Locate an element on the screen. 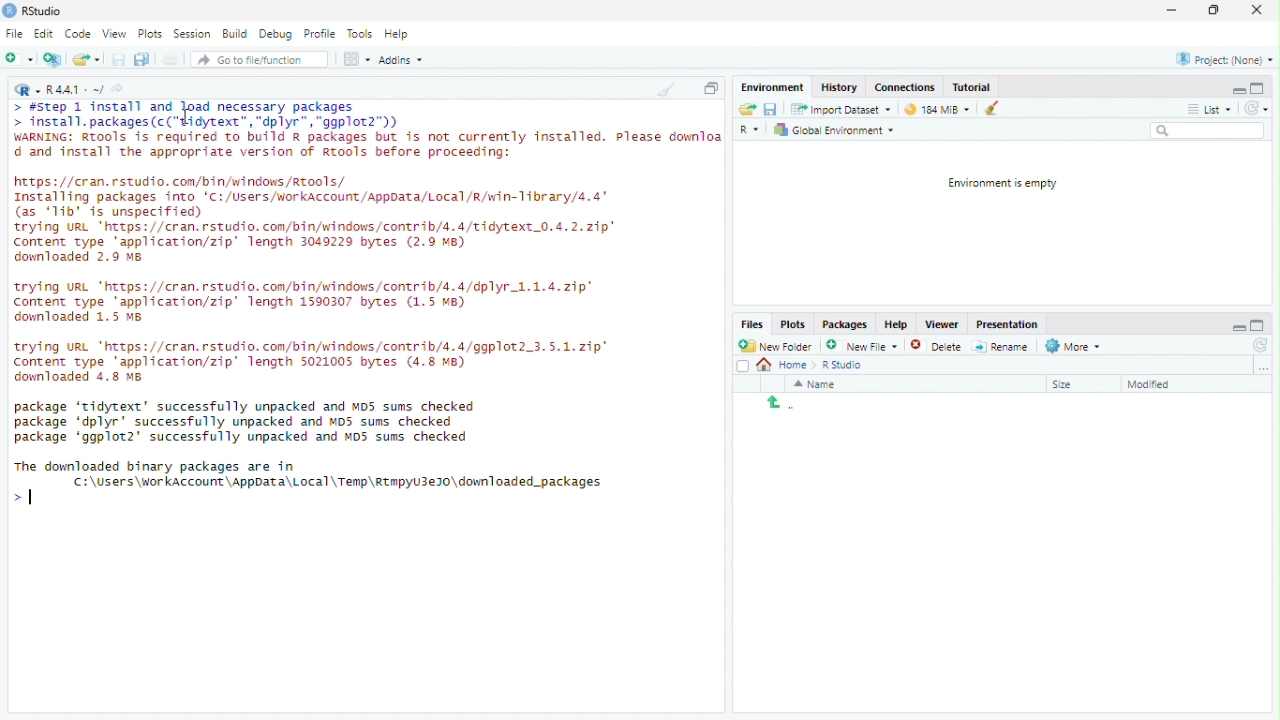 The image size is (1280, 720). List is located at coordinates (1209, 107).